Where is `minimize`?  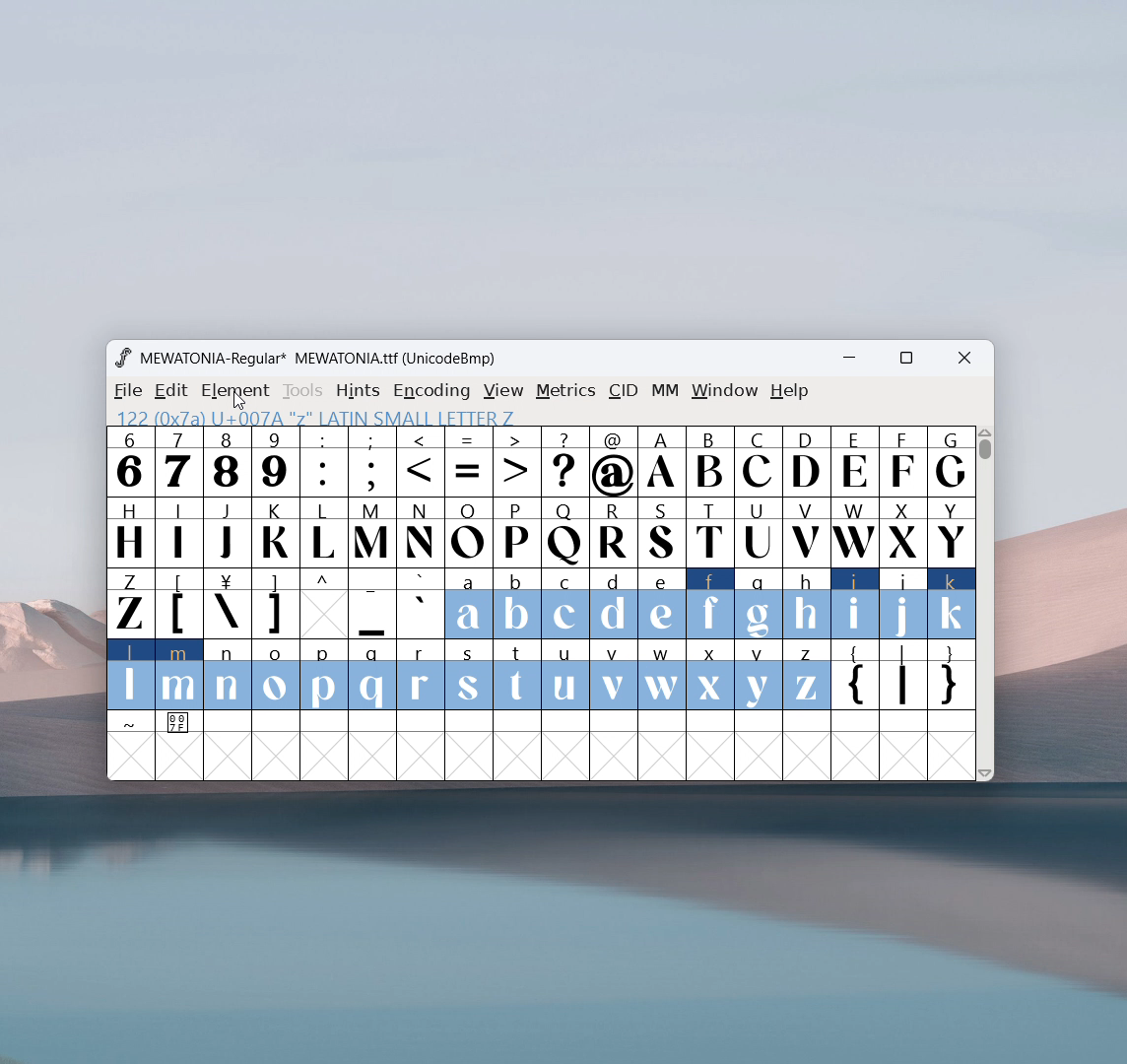
minimize is located at coordinates (856, 361).